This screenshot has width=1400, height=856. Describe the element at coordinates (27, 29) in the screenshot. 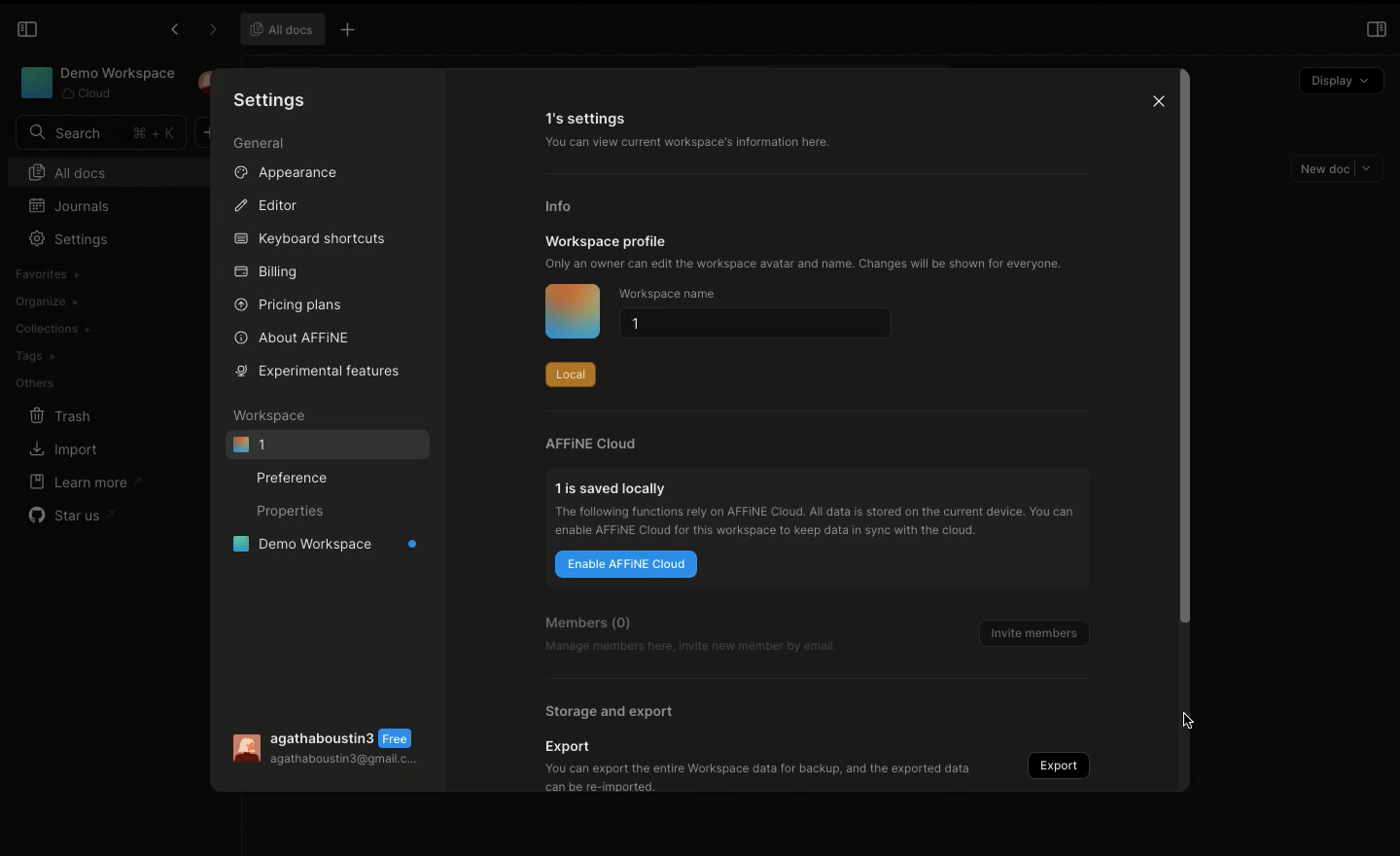

I see `Collapse sidebar` at that location.